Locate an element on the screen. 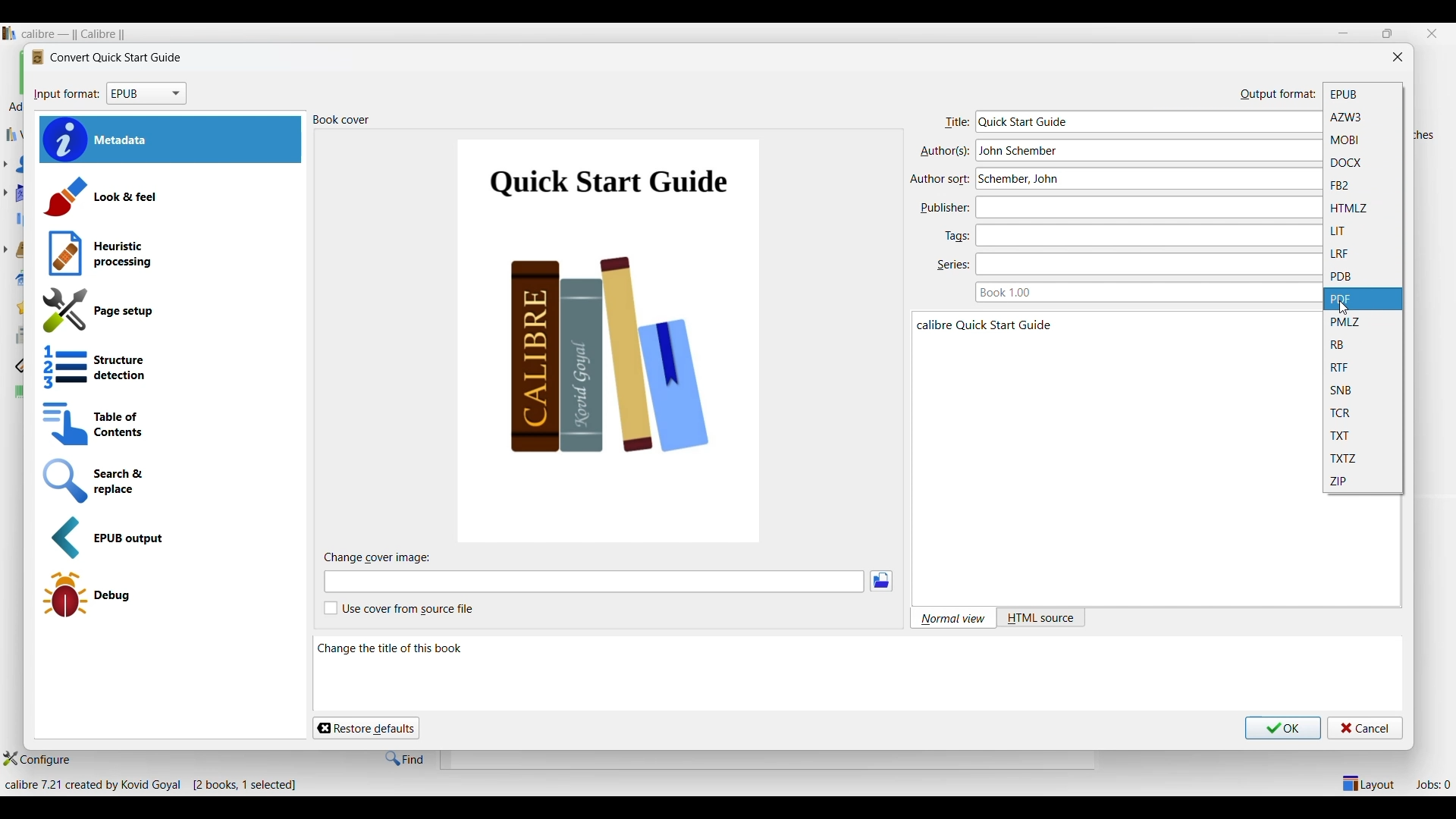  LRF is located at coordinates (1363, 254).